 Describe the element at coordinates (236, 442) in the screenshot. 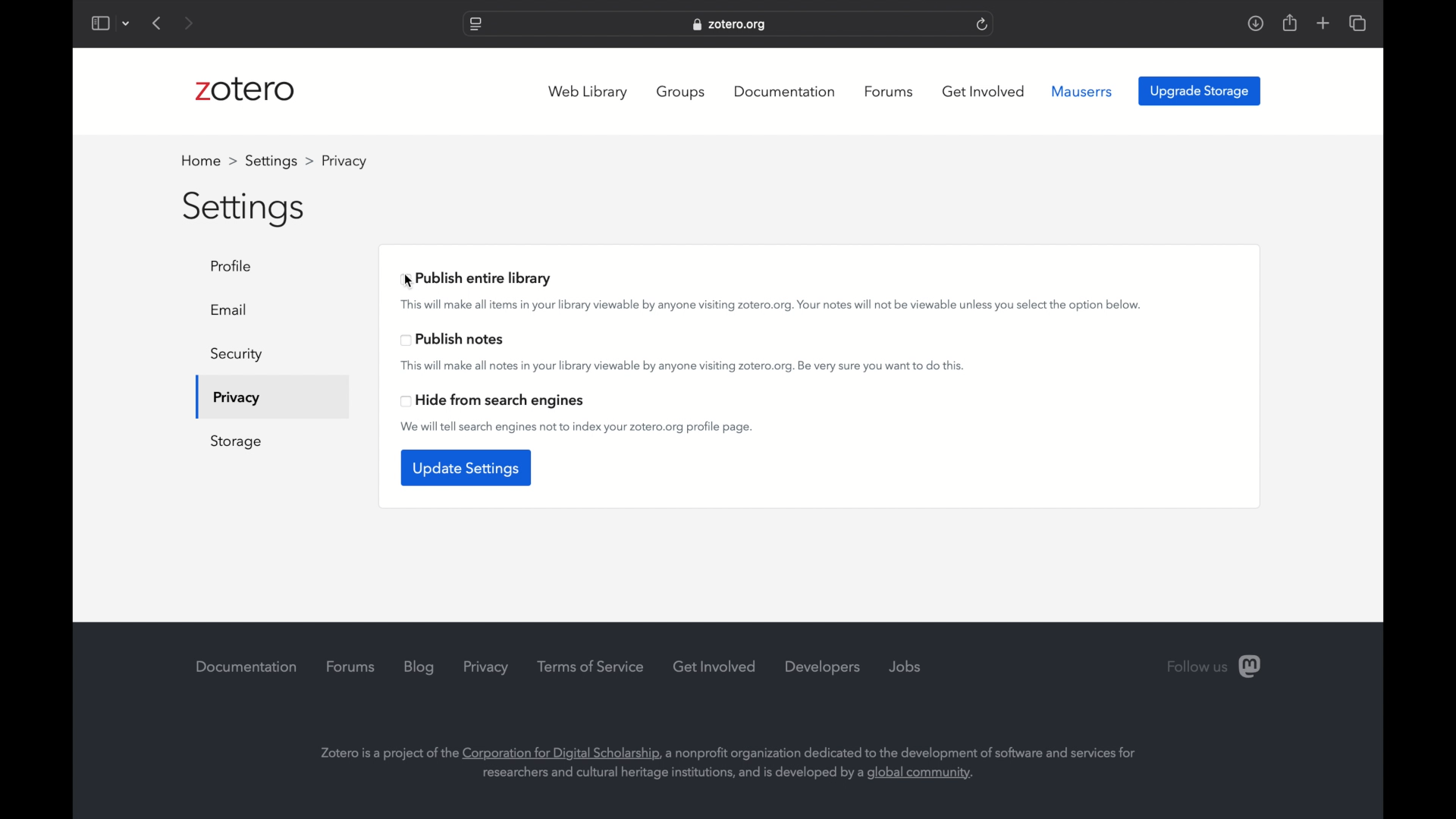

I see `storage` at that location.